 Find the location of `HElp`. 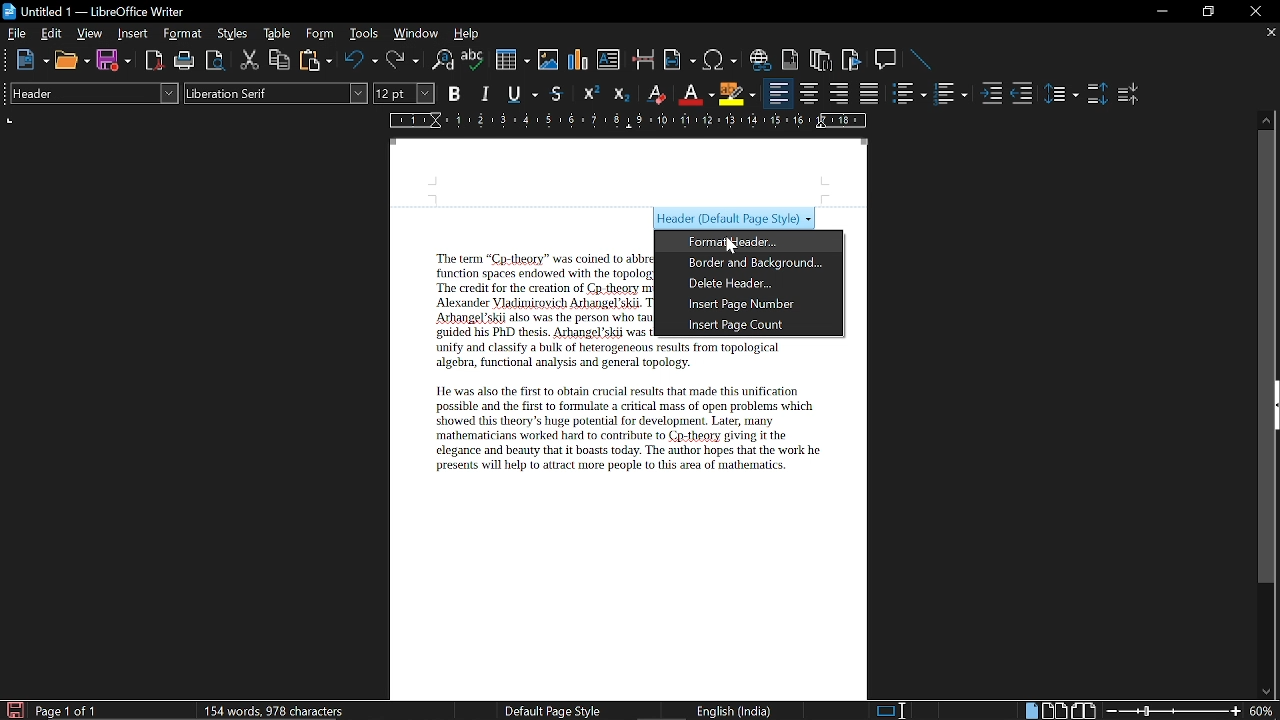

HElp is located at coordinates (468, 33).